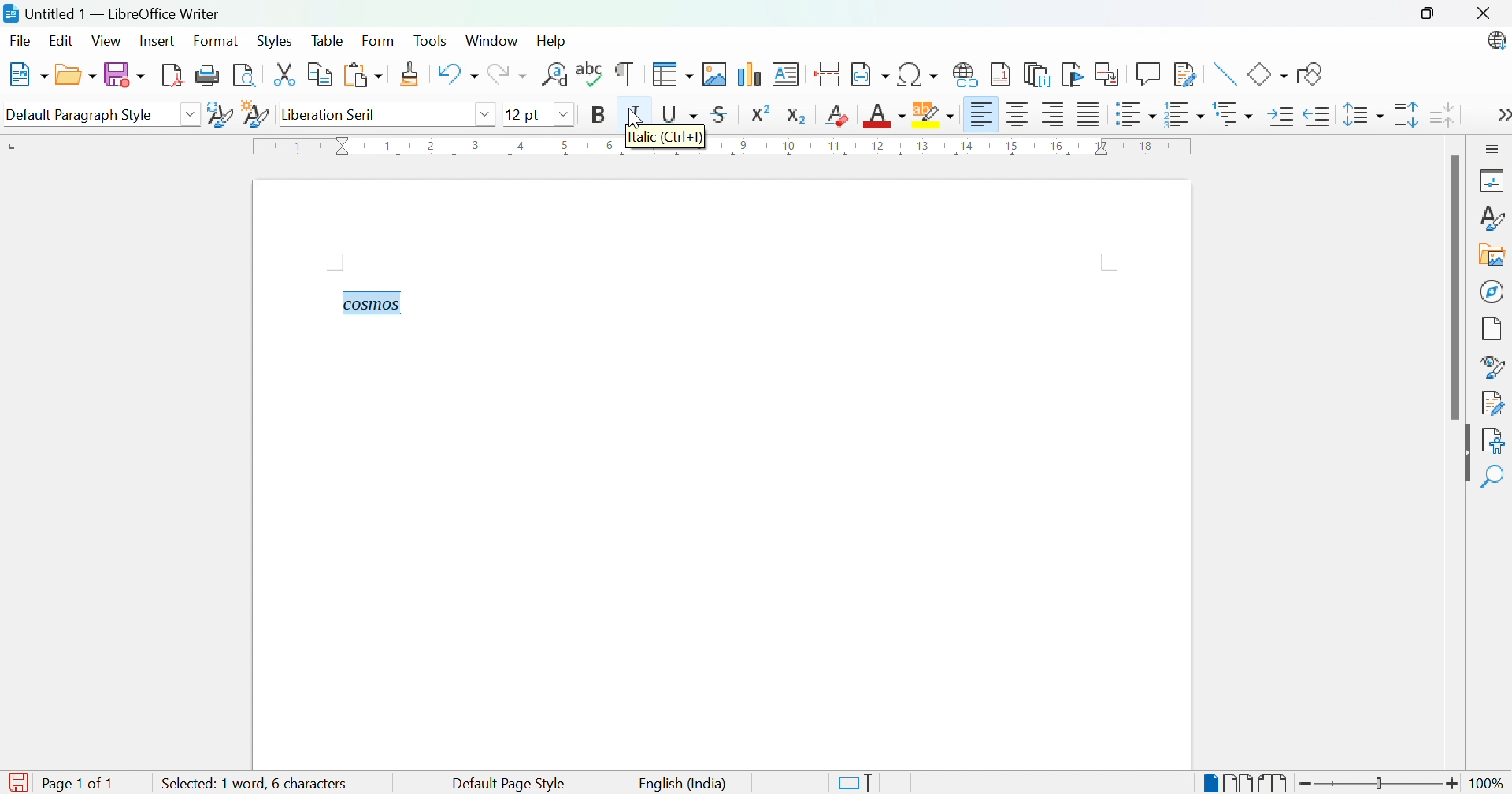  What do you see at coordinates (1274, 783) in the screenshot?
I see `Book view` at bounding box center [1274, 783].